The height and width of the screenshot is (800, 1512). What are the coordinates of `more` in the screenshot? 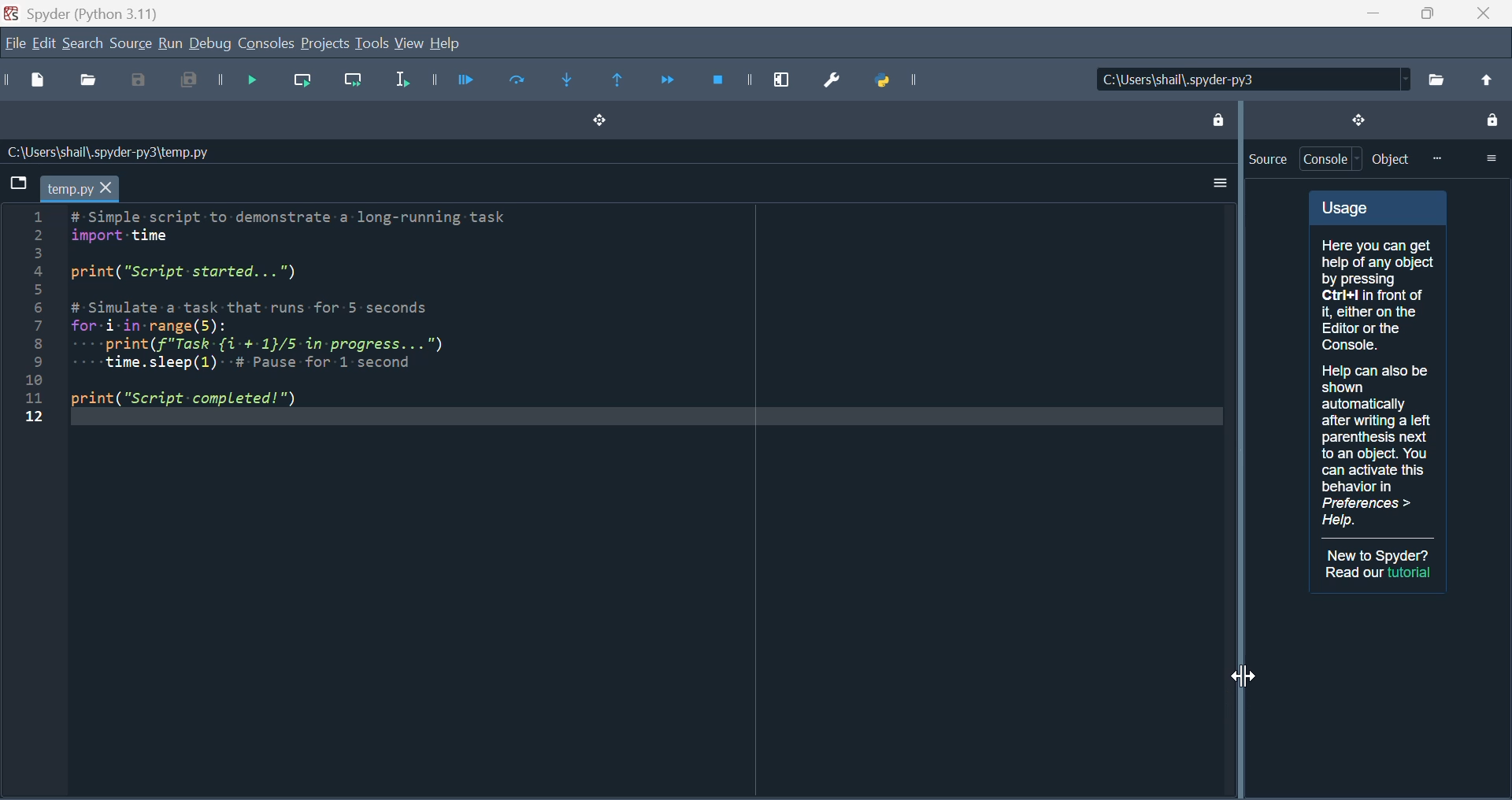 It's located at (1436, 158).